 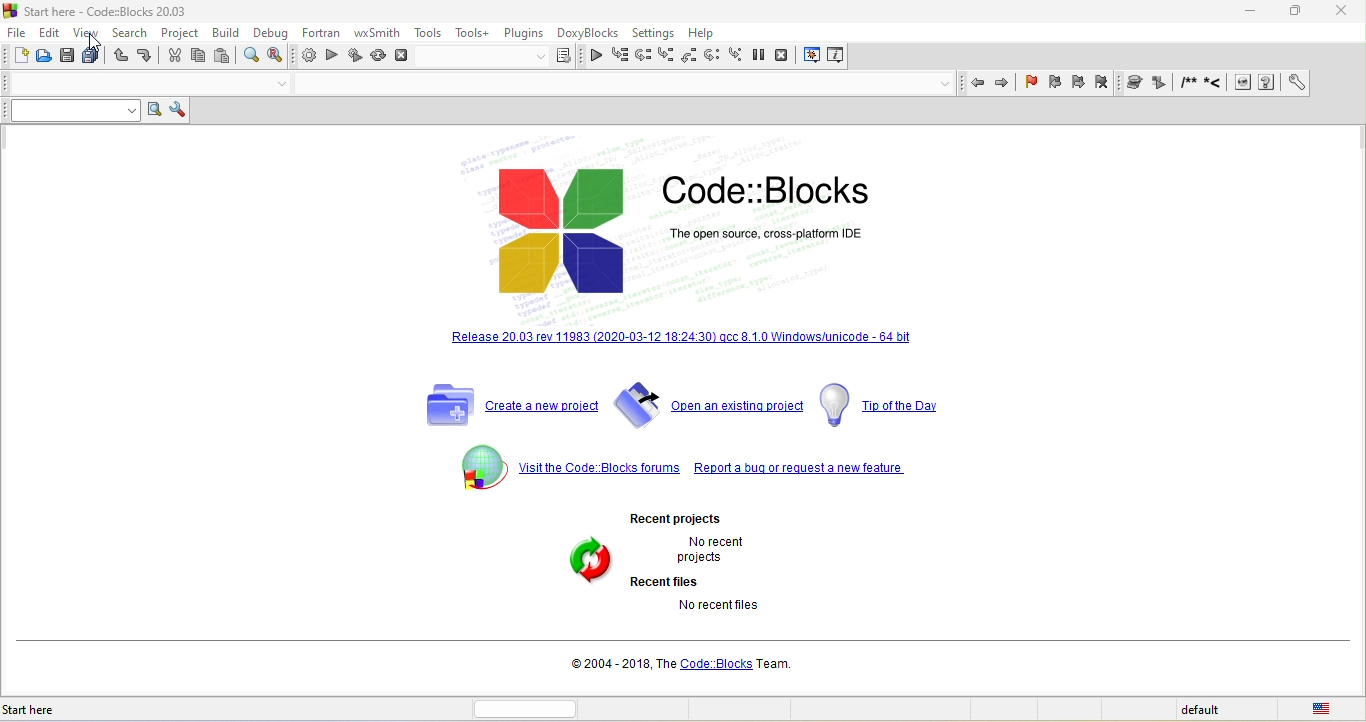 What do you see at coordinates (1004, 83) in the screenshot?
I see `jump forward` at bounding box center [1004, 83].